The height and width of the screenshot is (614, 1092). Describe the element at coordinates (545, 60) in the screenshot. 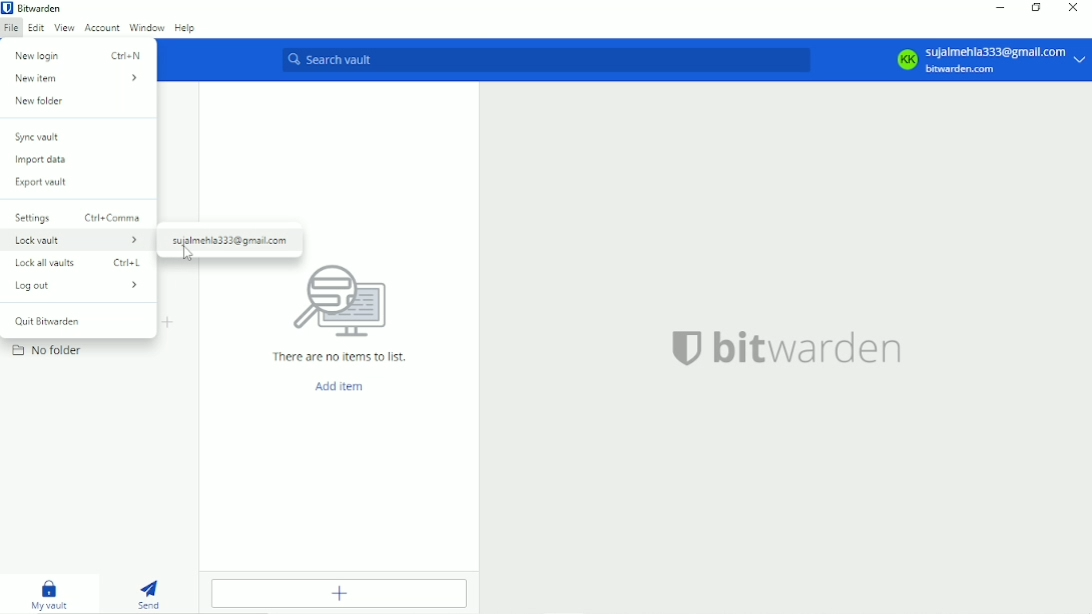

I see `Search vault` at that location.